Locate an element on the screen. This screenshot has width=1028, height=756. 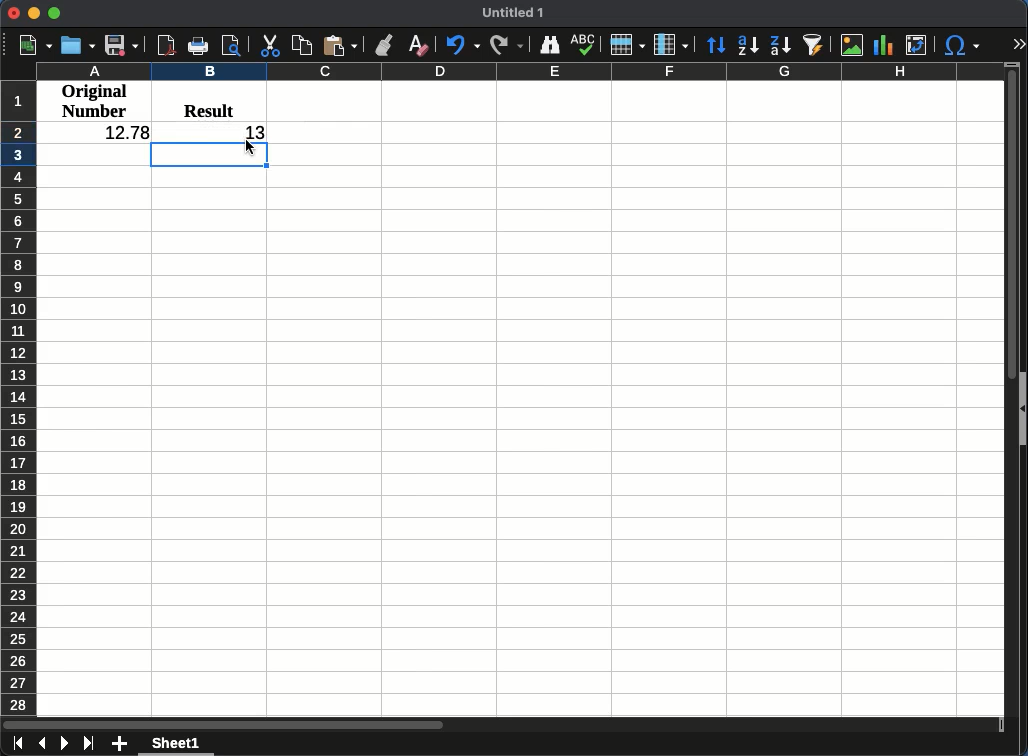
cut is located at coordinates (271, 46).